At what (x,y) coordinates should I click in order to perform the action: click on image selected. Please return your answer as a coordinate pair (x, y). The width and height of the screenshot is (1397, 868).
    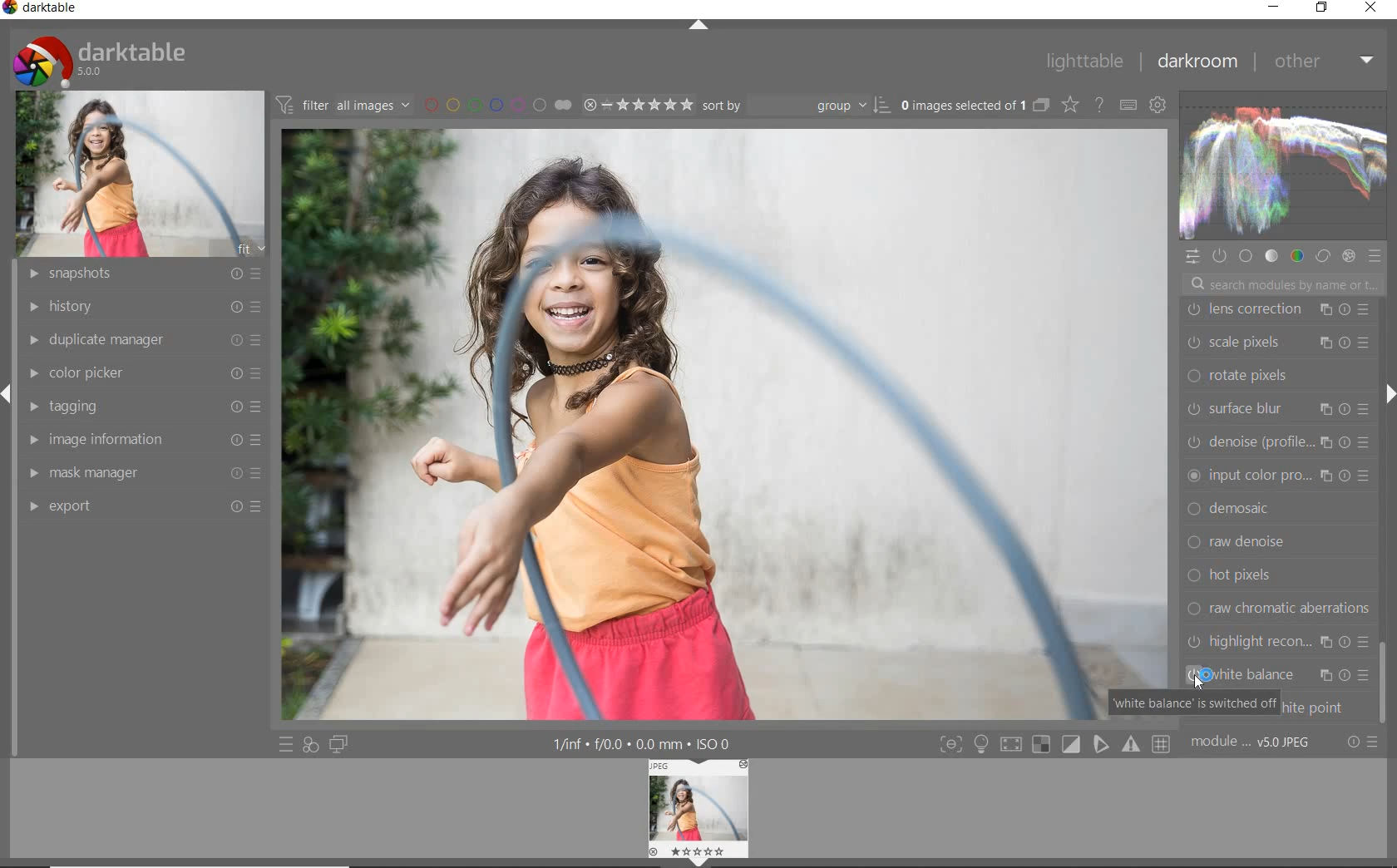
    Looking at the image, I should click on (726, 425).